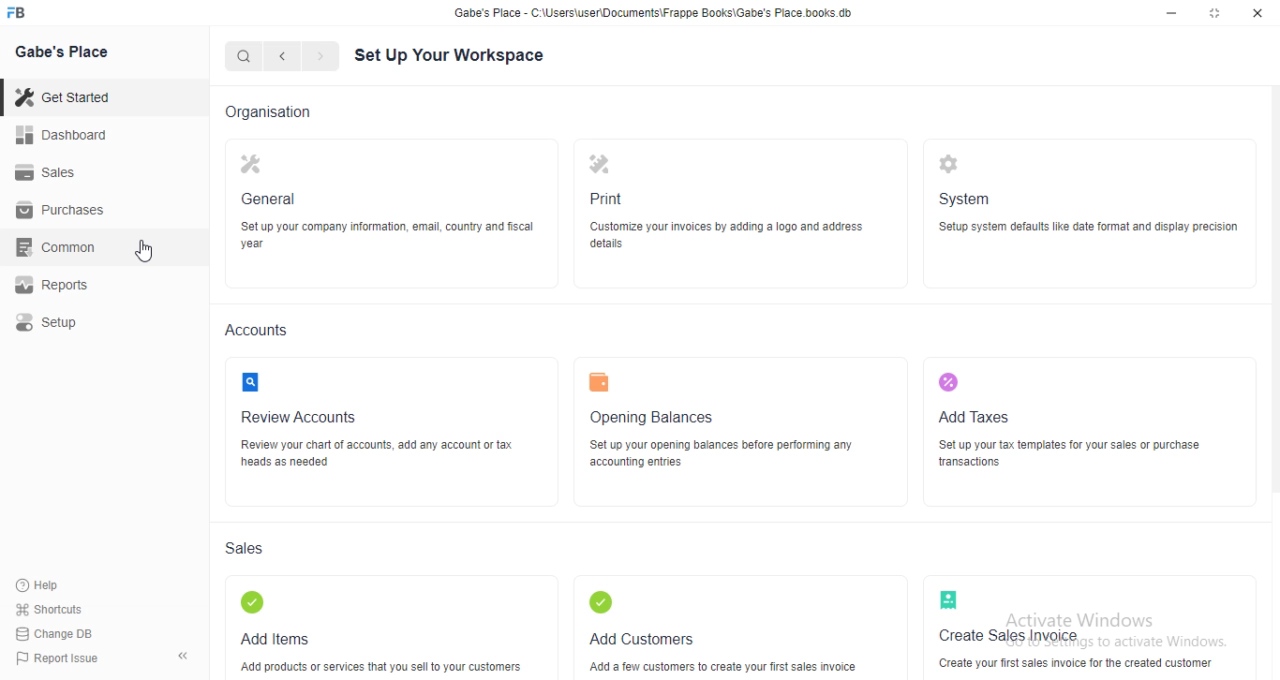 This screenshot has width=1280, height=680. What do you see at coordinates (274, 201) in the screenshot?
I see `General` at bounding box center [274, 201].